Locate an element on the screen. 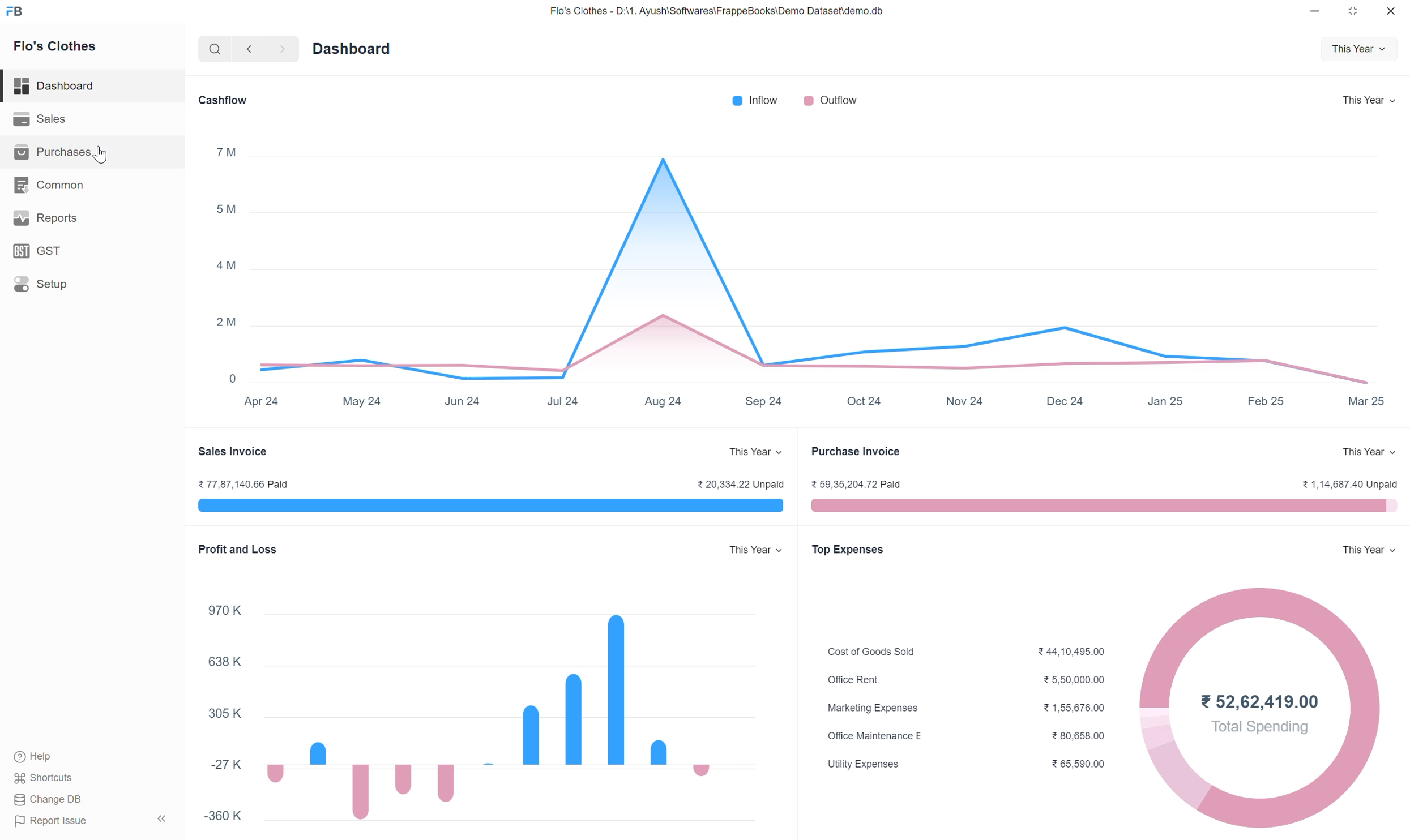 Image resolution: width=1410 pixels, height=840 pixels. 2M is located at coordinates (227, 321).